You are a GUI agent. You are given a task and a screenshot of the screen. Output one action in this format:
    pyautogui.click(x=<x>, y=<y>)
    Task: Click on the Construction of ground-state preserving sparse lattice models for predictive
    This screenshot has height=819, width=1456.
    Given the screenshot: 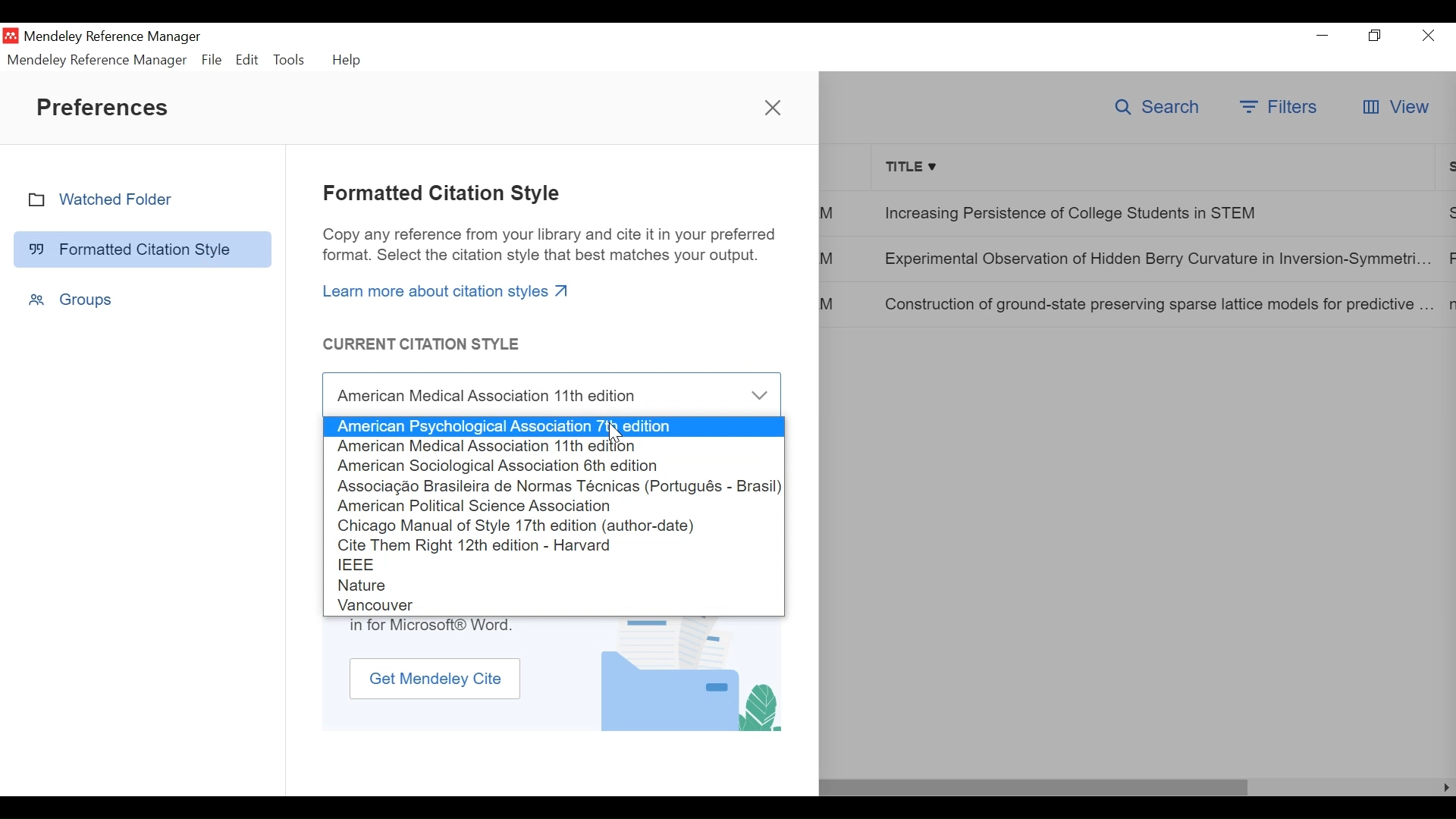 What is the action you would take?
    pyautogui.click(x=1156, y=303)
    